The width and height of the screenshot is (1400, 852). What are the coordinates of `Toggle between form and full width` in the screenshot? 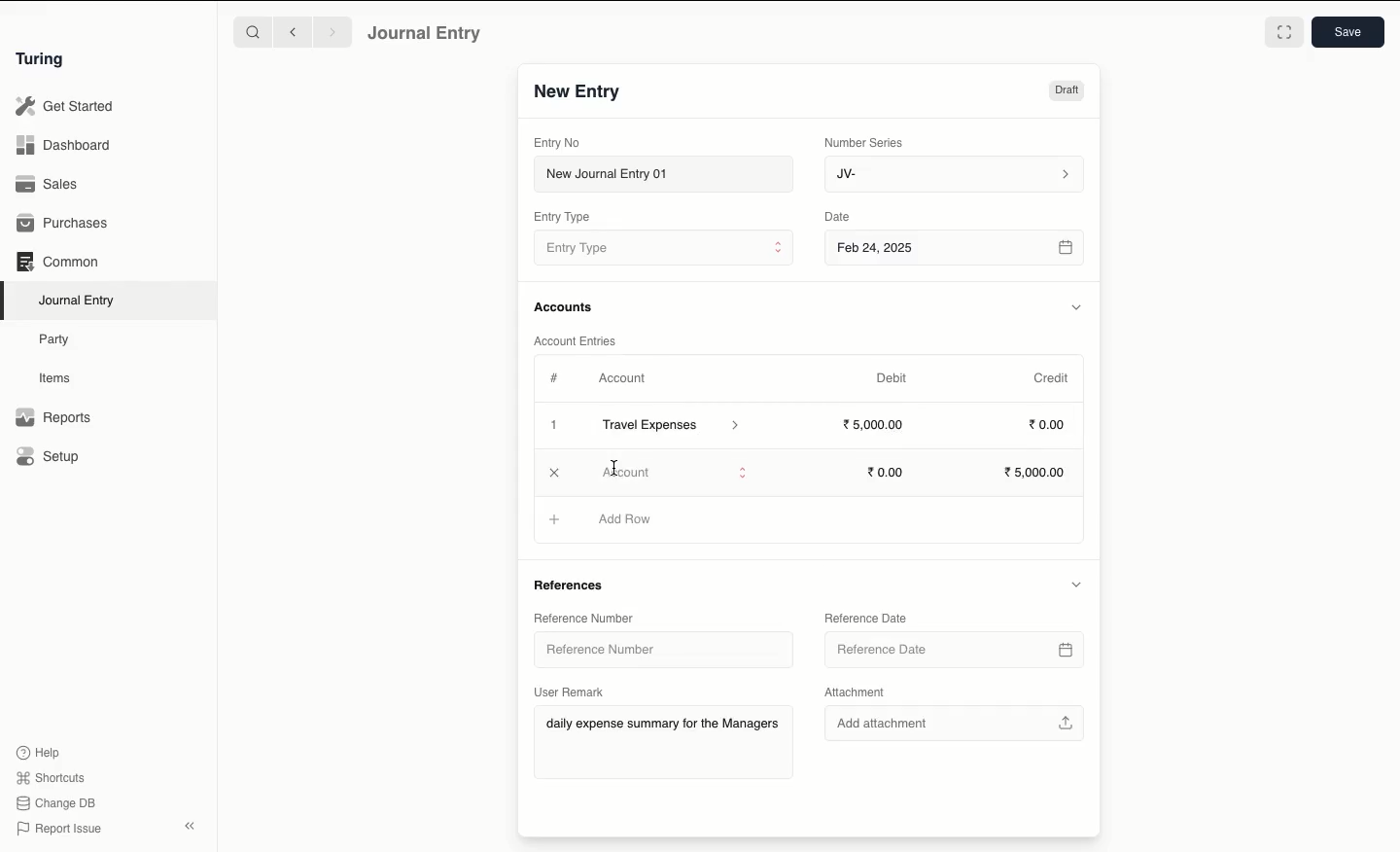 It's located at (1284, 32).